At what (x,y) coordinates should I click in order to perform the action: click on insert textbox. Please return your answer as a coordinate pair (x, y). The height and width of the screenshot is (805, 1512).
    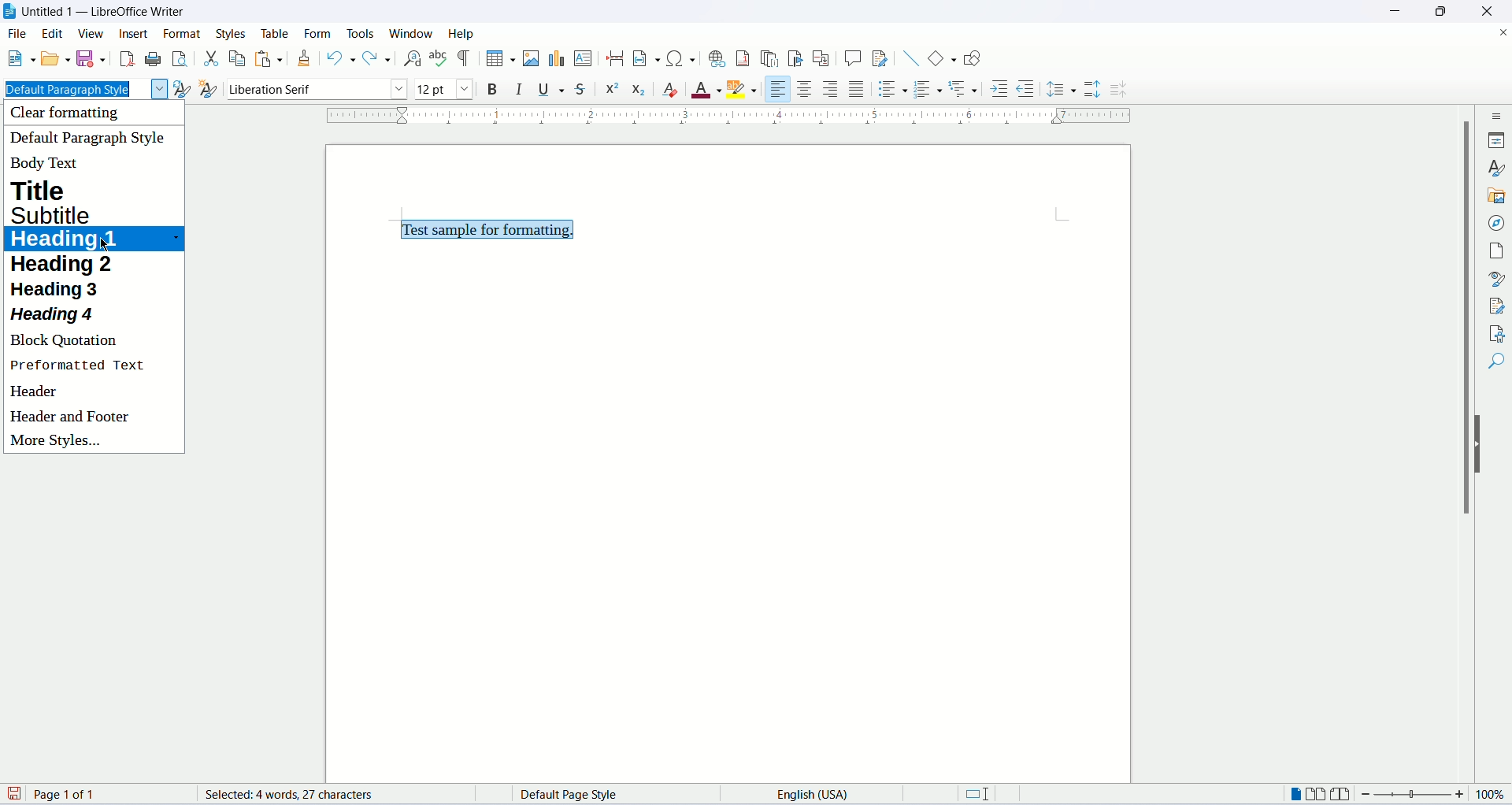
    Looking at the image, I should click on (584, 58).